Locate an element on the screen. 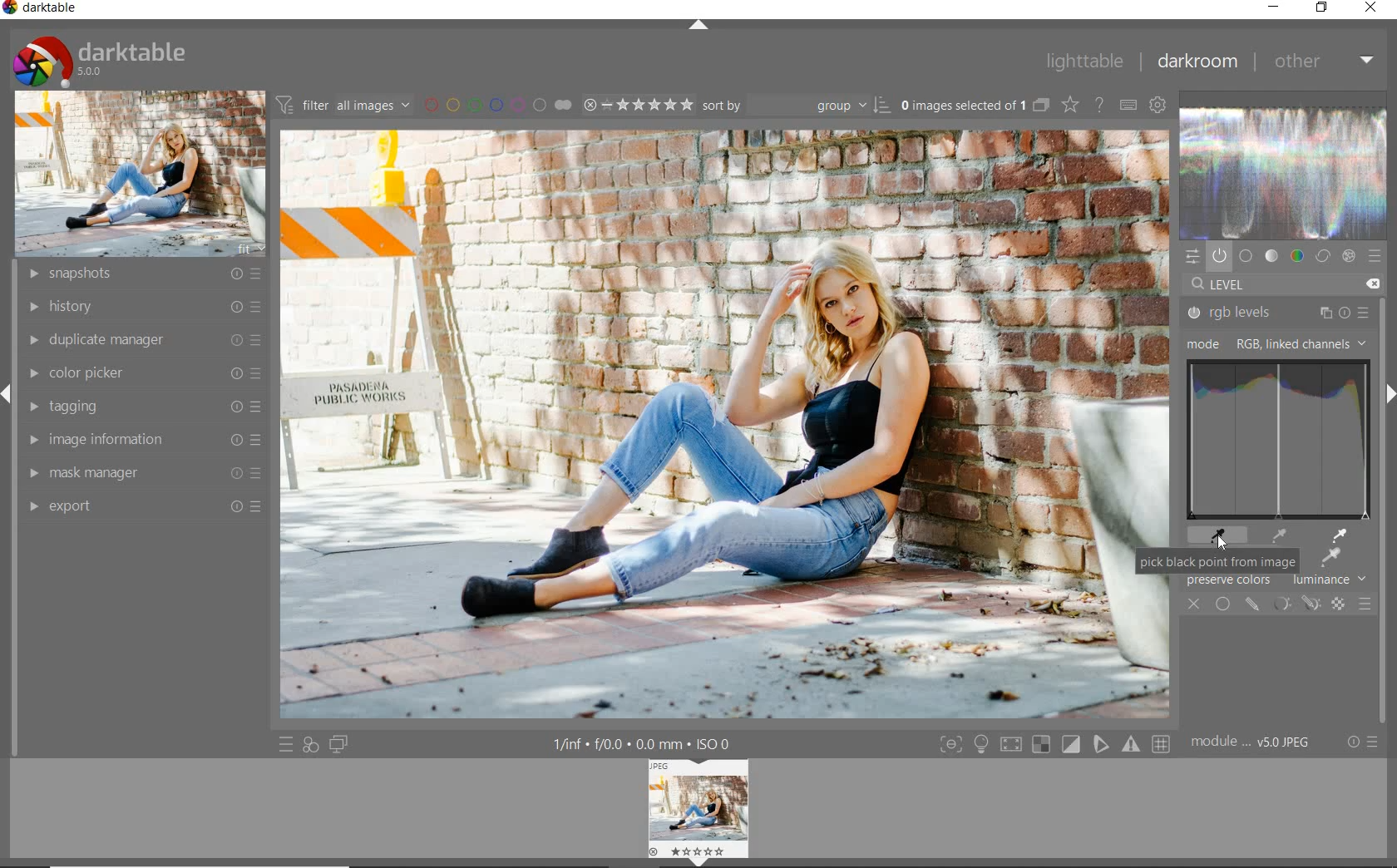 This screenshot has height=868, width=1397. expand/collapse is located at coordinates (1390, 396).